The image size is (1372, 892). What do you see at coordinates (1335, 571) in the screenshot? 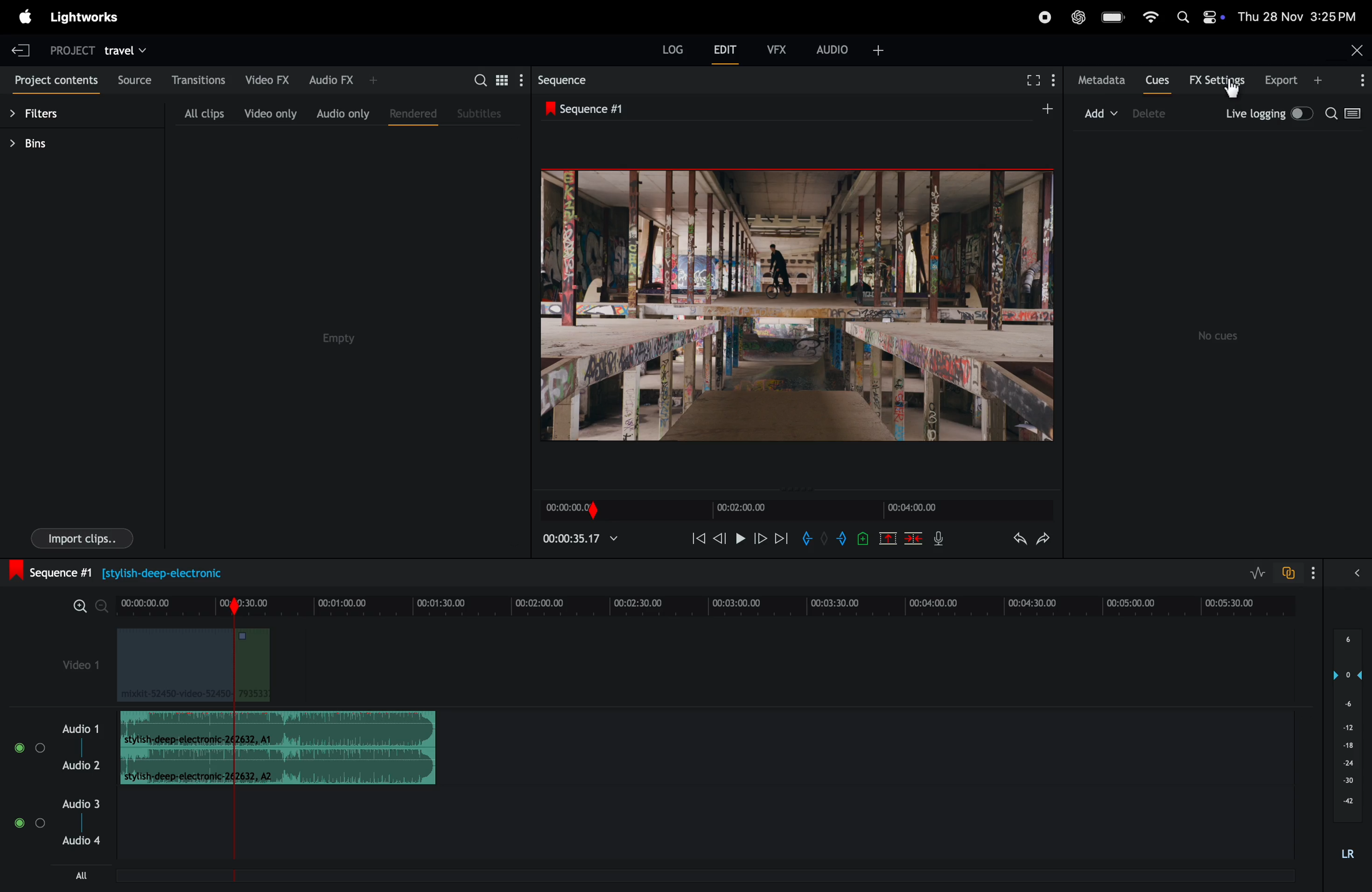
I see `expand` at bounding box center [1335, 571].